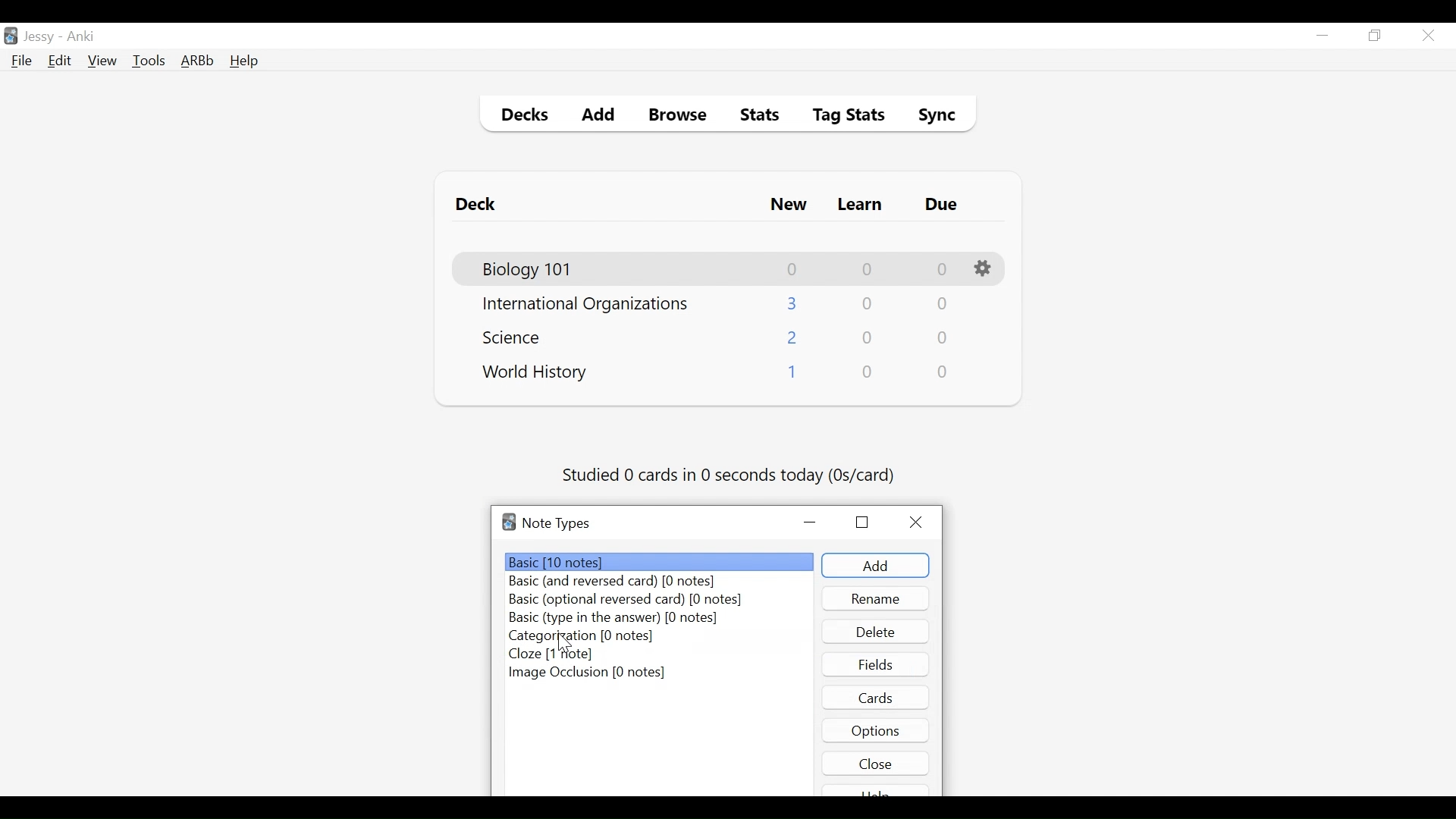 The image size is (1456, 819). What do you see at coordinates (868, 338) in the screenshot?
I see `Learn Card Count` at bounding box center [868, 338].